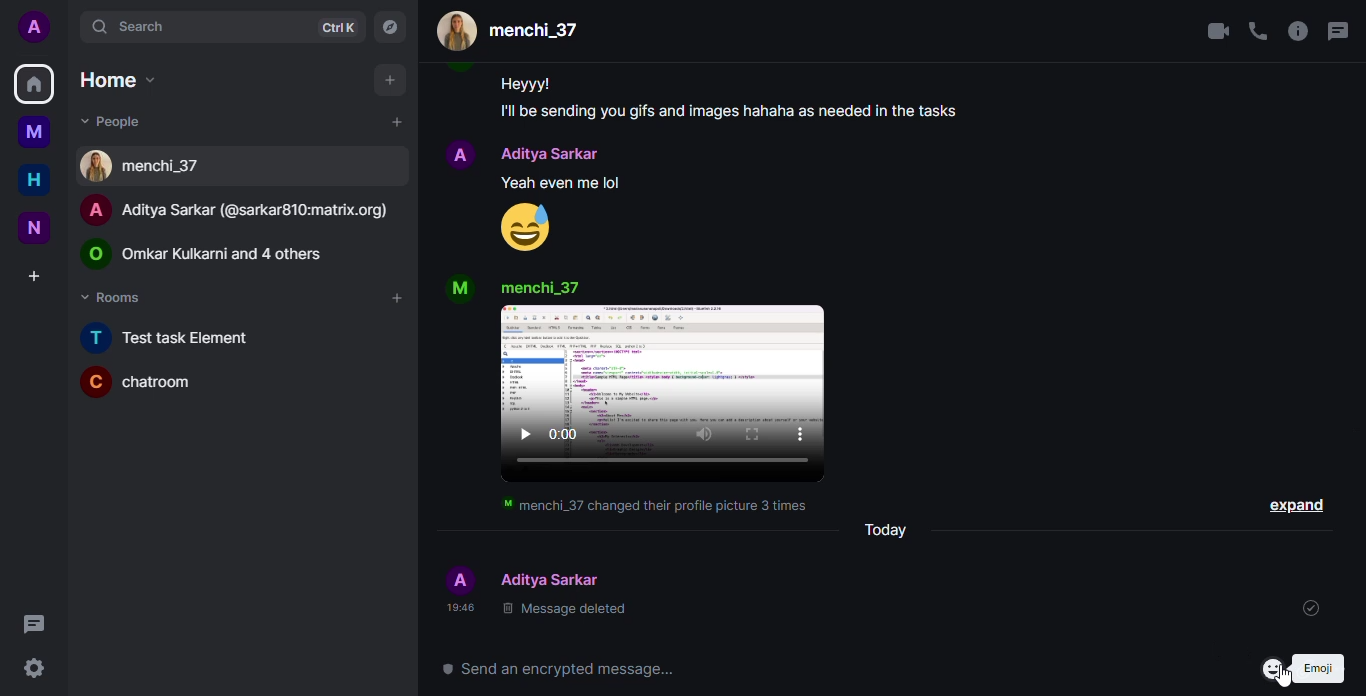  What do you see at coordinates (650, 506) in the screenshot?
I see `info` at bounding box center [650, 506].